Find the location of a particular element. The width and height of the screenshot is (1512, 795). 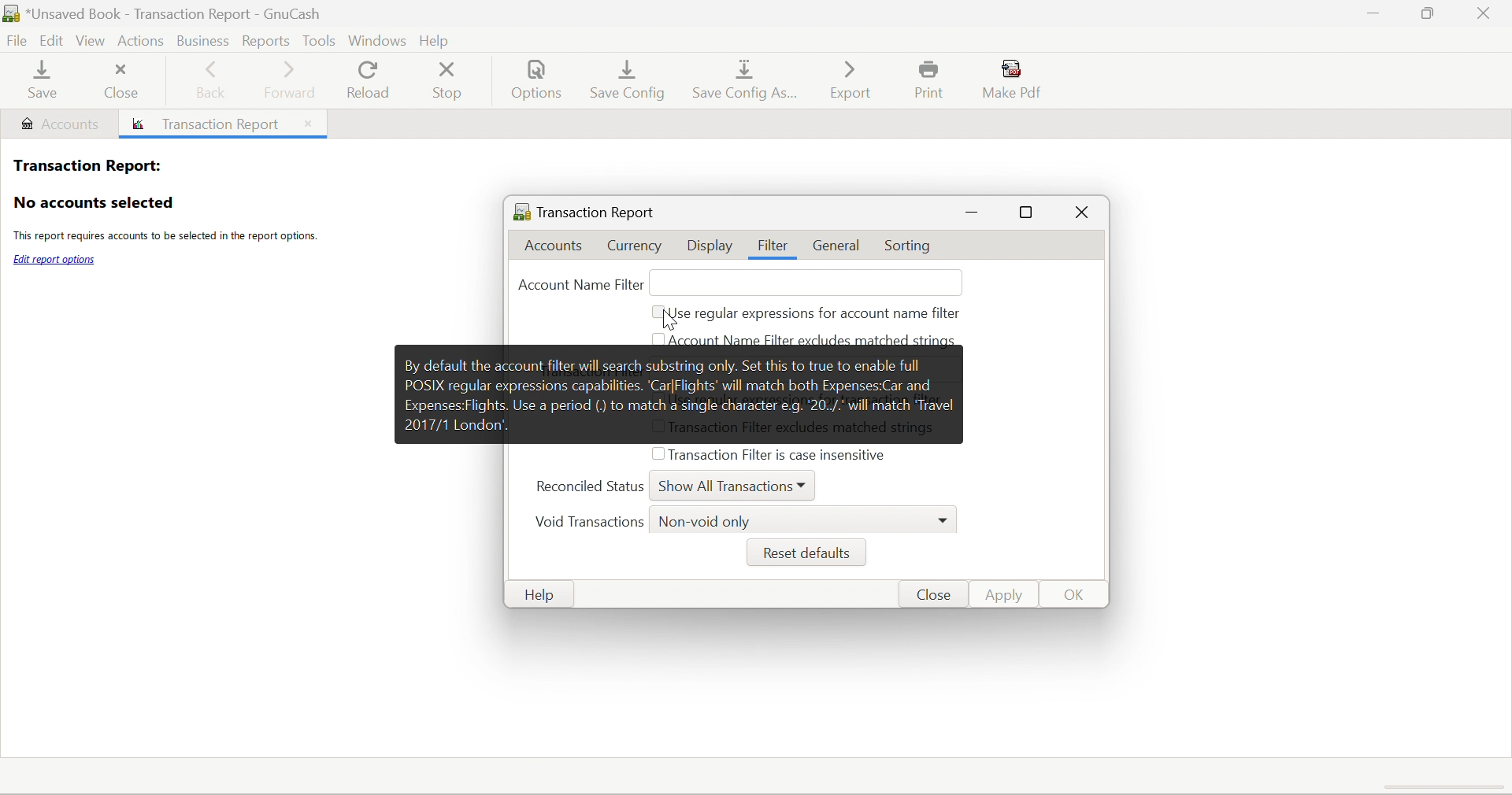

Actions is located at coordinates (141, 39).